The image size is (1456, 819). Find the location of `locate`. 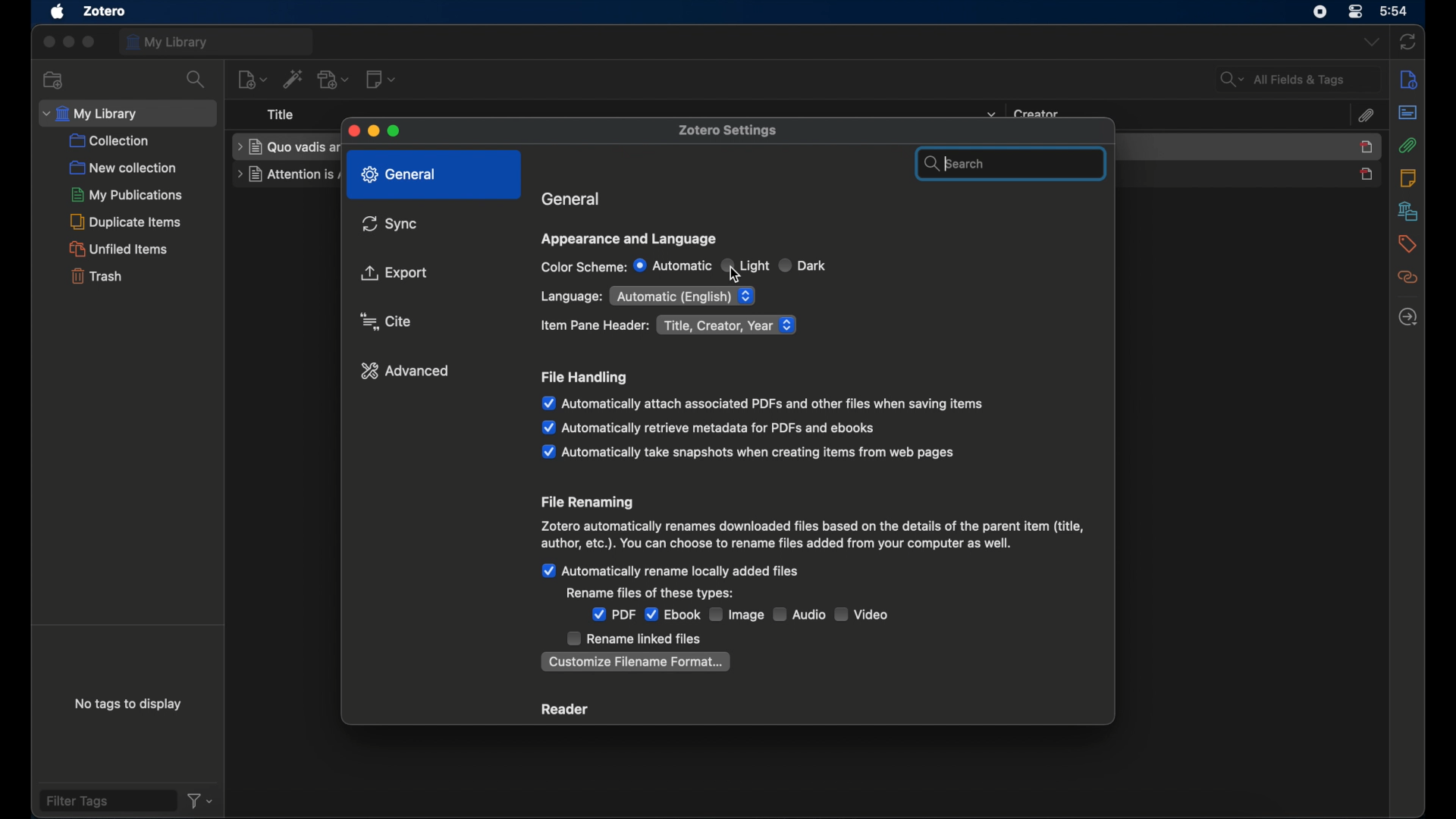

locate is located at coordinates (1408, 316).